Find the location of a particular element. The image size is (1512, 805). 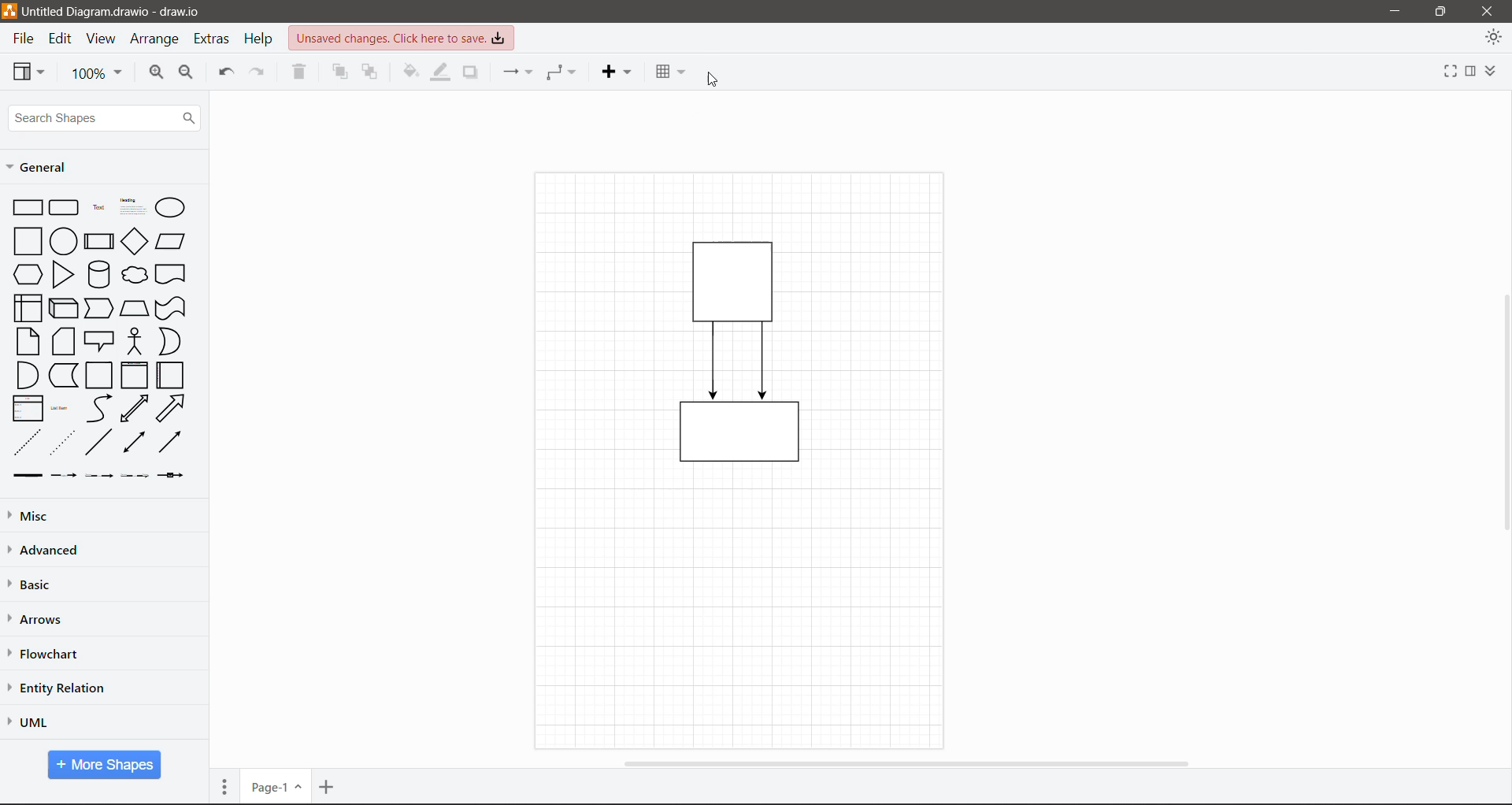

Cube is located at coordinates (62, 307).